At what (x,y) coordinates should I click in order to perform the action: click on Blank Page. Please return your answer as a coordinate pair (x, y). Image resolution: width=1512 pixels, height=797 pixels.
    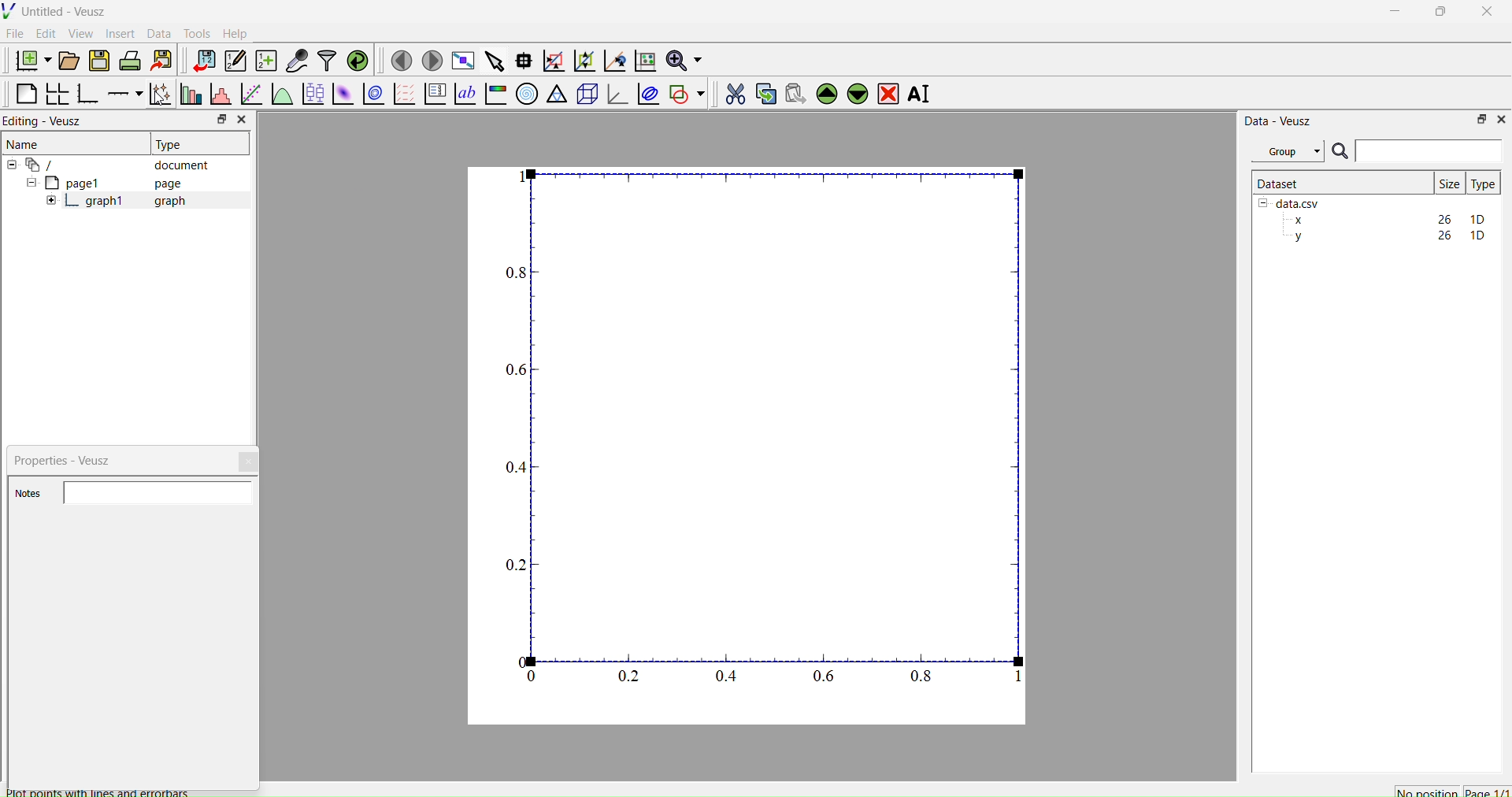
    Looking at the image, I should click on (26, 94).